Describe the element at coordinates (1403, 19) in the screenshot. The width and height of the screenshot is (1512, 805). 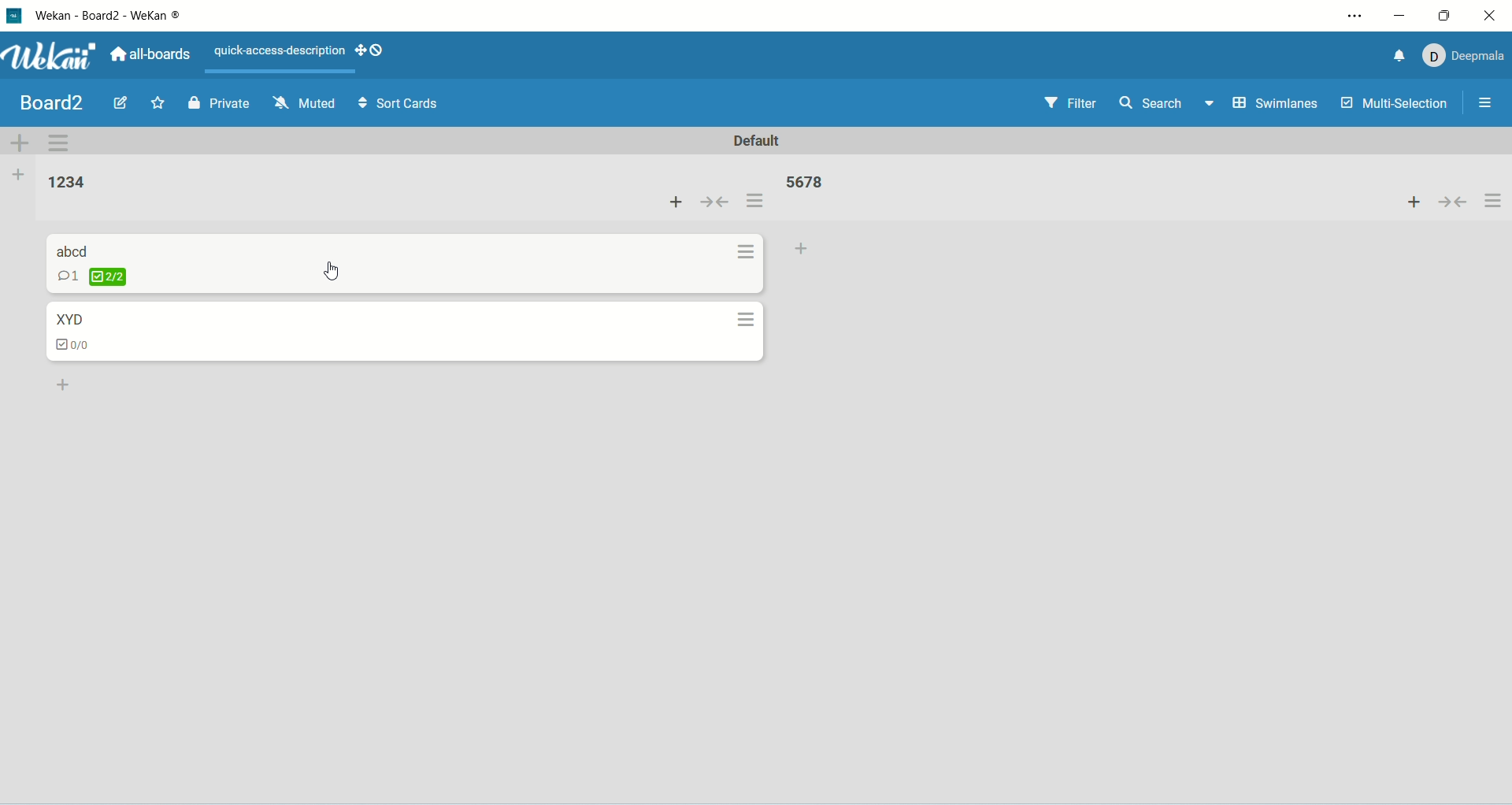
I see `minimize` at that location.